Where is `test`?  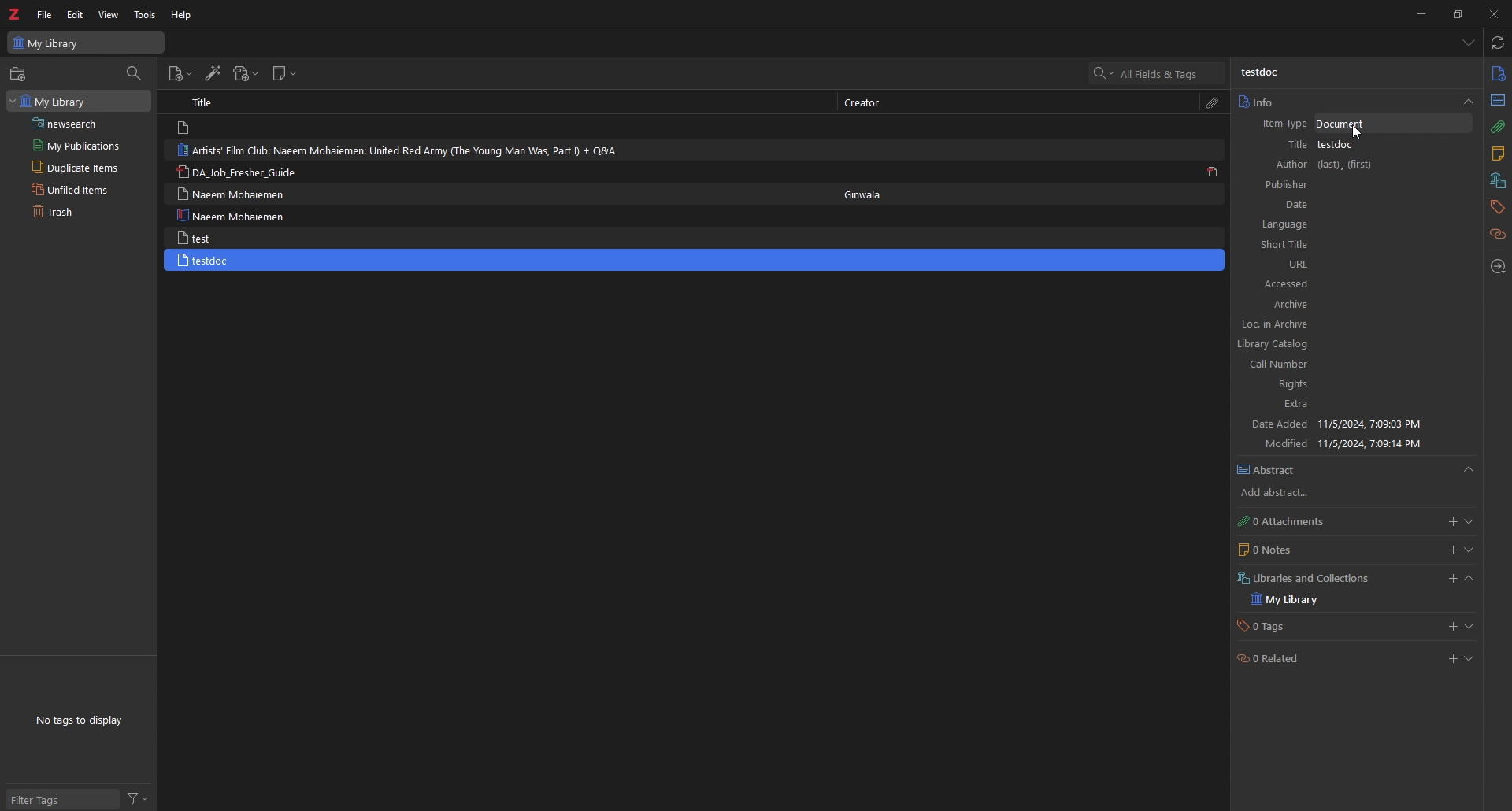 test is located at coordinates (230, 237).